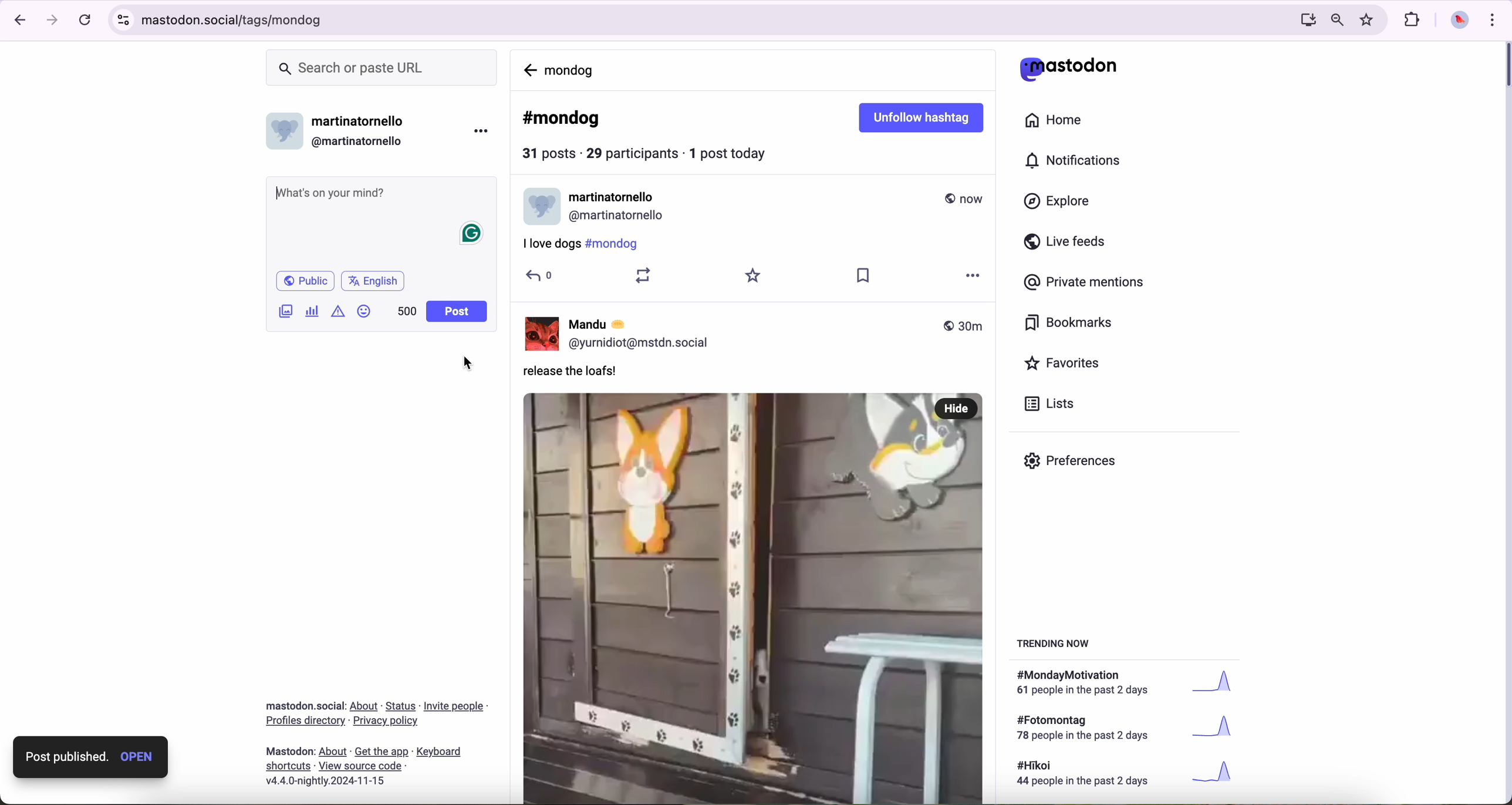 This screenshot has height=805, width=1512. I want to click on Mandu profile, so click(539, 207).